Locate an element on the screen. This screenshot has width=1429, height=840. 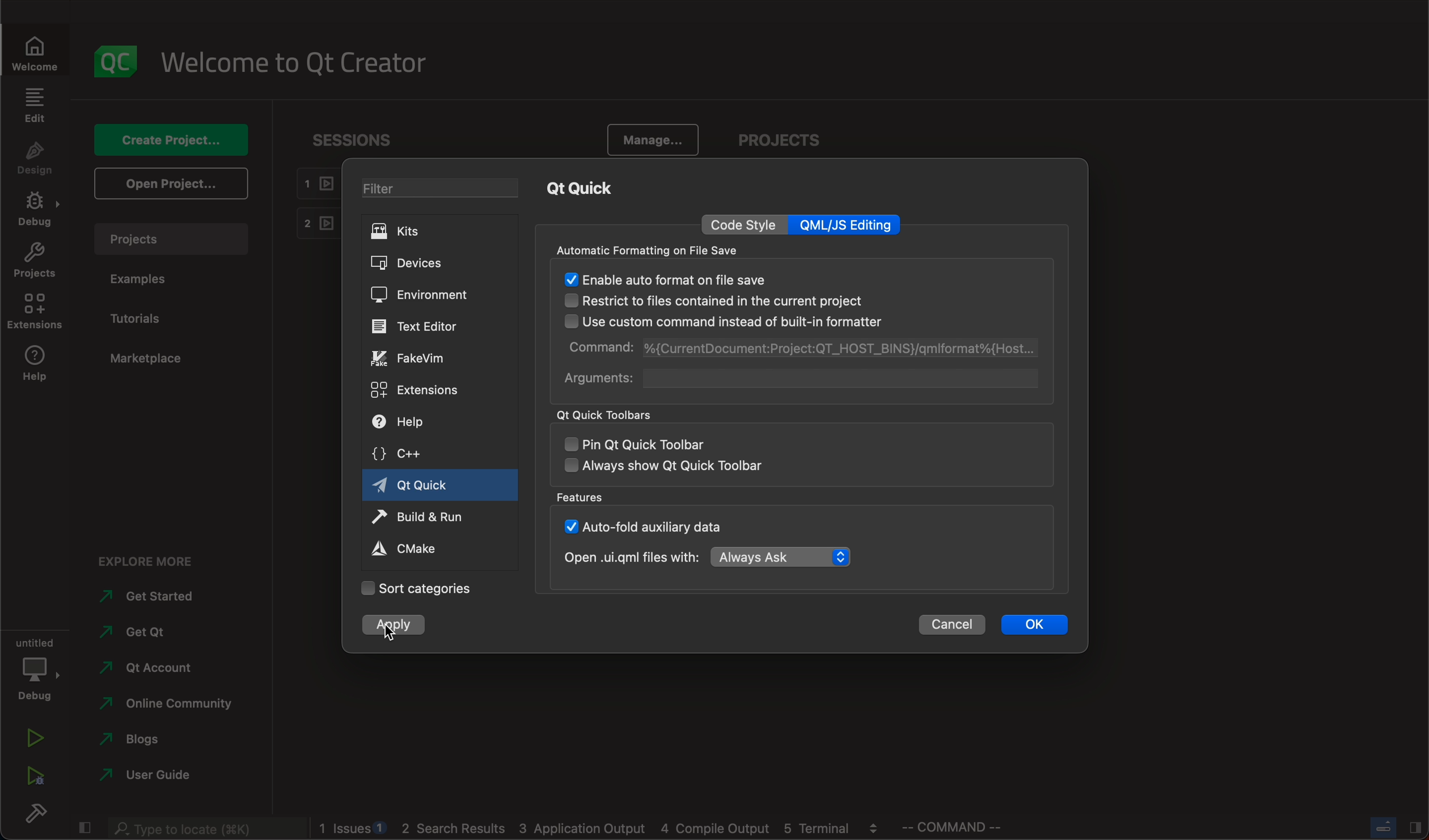
extensions is located at coordinates (418, 392).